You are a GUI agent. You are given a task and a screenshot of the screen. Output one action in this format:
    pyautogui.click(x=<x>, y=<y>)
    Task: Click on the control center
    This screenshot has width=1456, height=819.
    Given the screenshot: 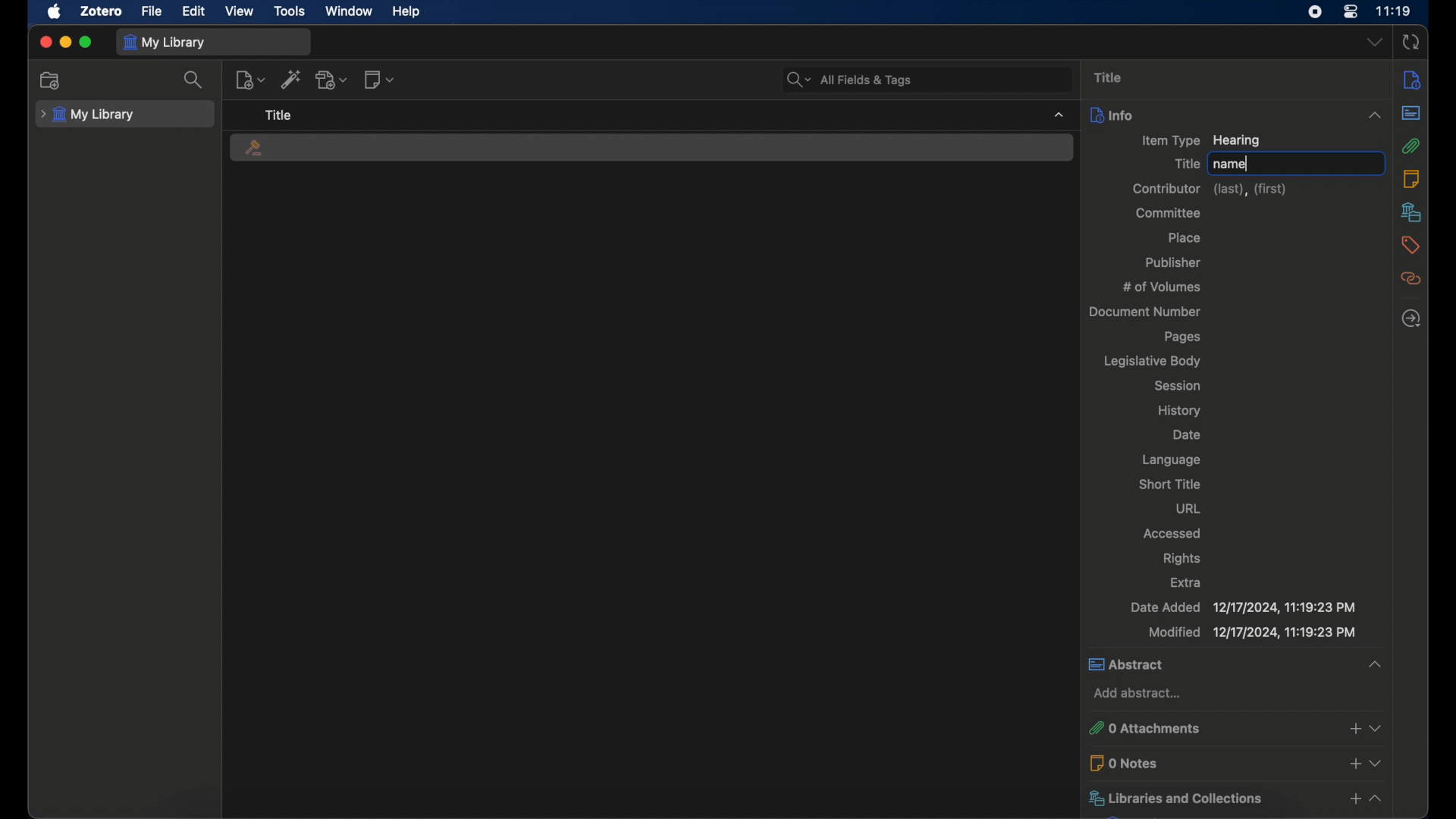 What is the action you would take?
    pyautogui.click(x=1350, y=11)
    